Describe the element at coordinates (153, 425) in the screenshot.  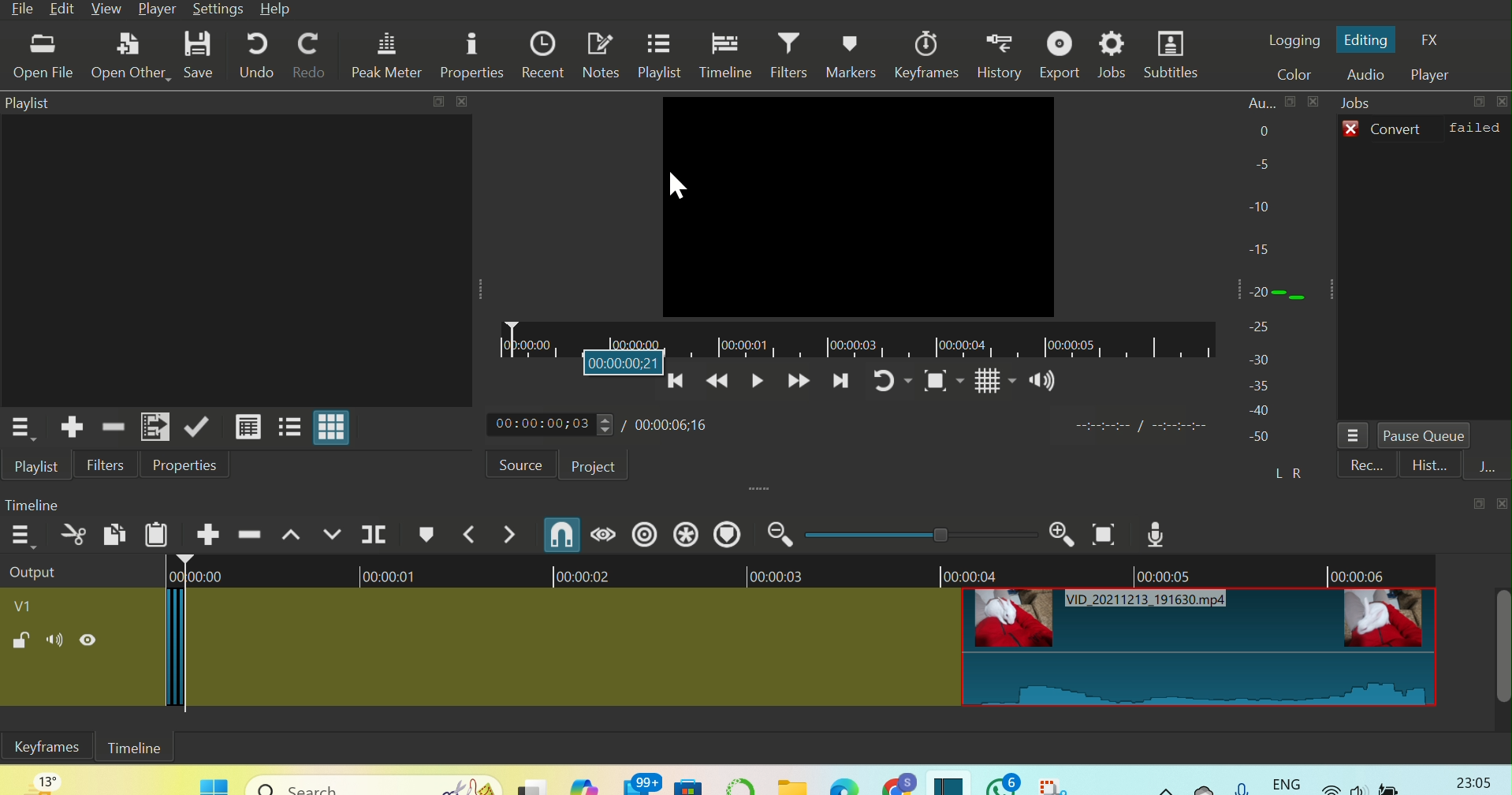
I see `Next` at that location.